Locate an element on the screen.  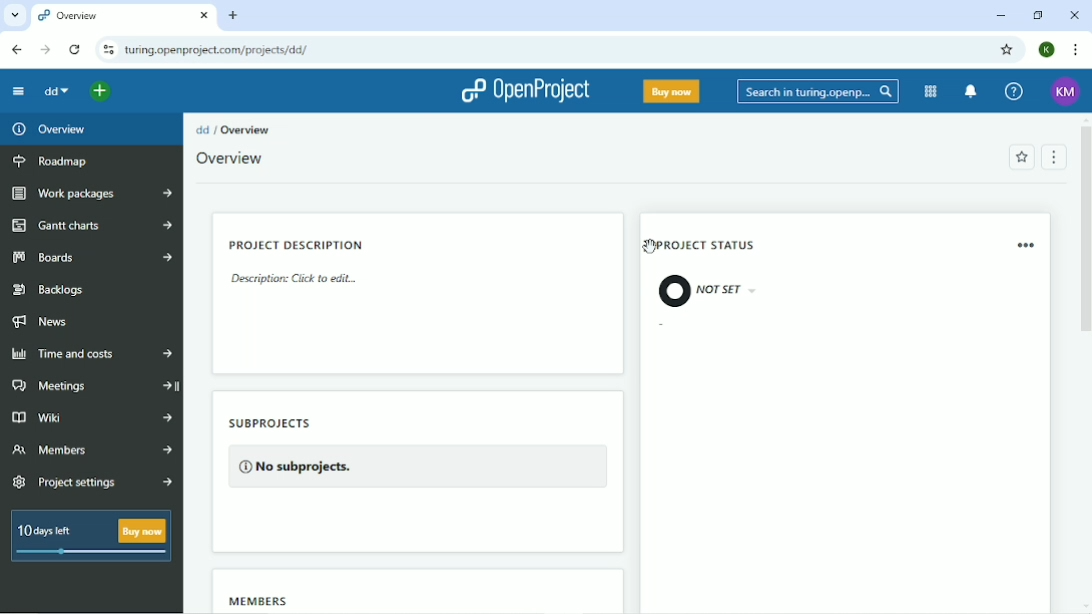
Bookmark this tab is located at coordinates (1008, 50).